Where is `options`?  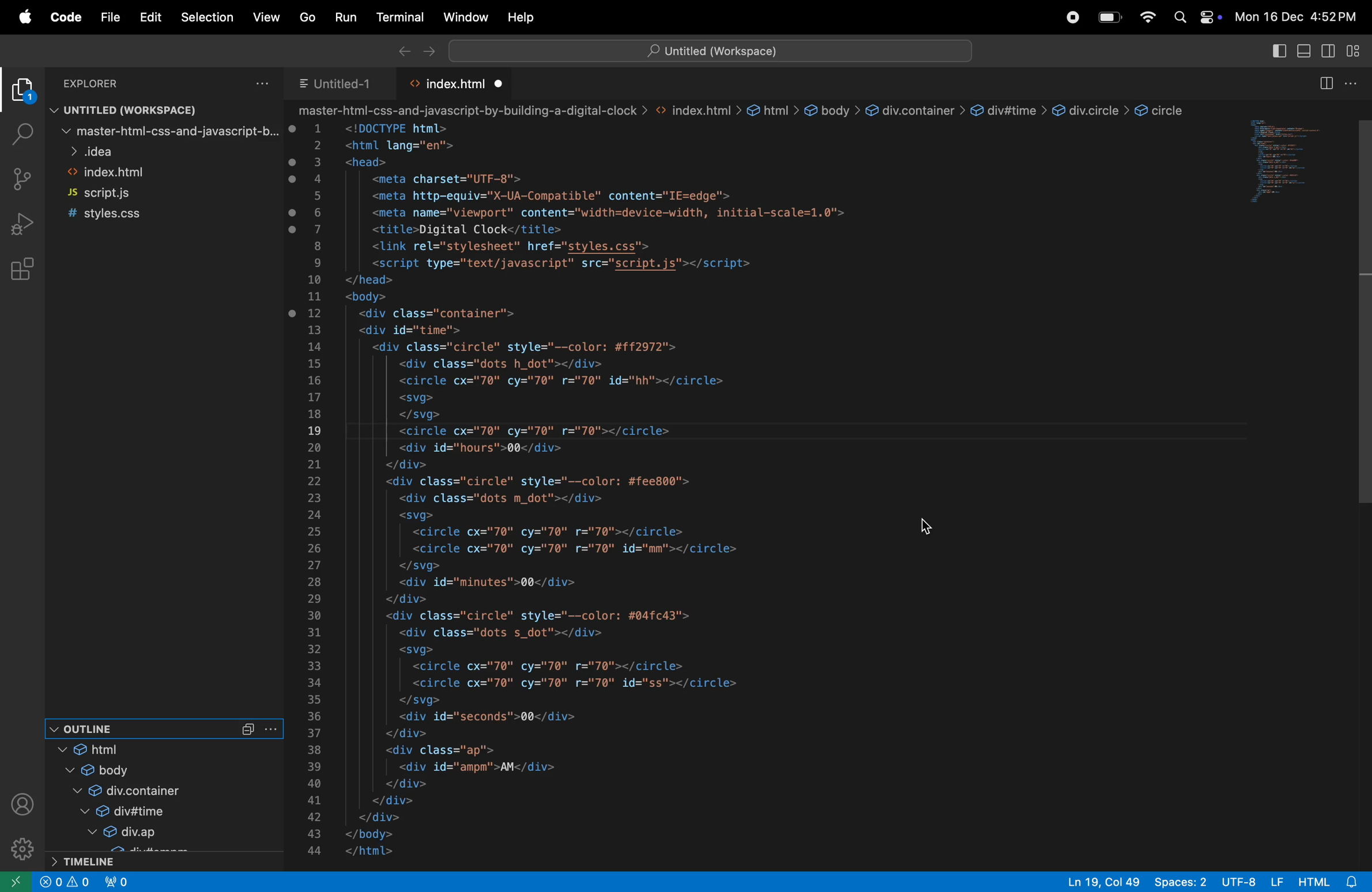 options is located at coordinates (1358, 83).